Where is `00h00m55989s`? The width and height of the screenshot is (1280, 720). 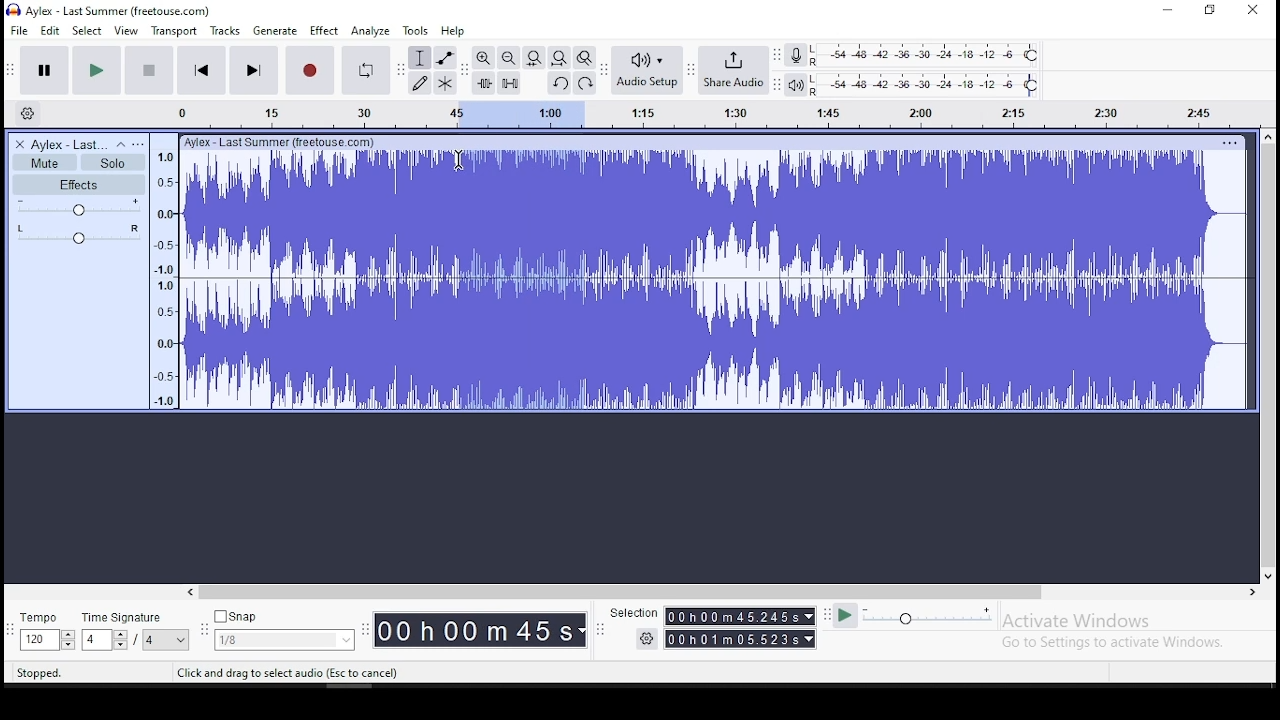 00h00m55989s is located at coordinates (741, 640).